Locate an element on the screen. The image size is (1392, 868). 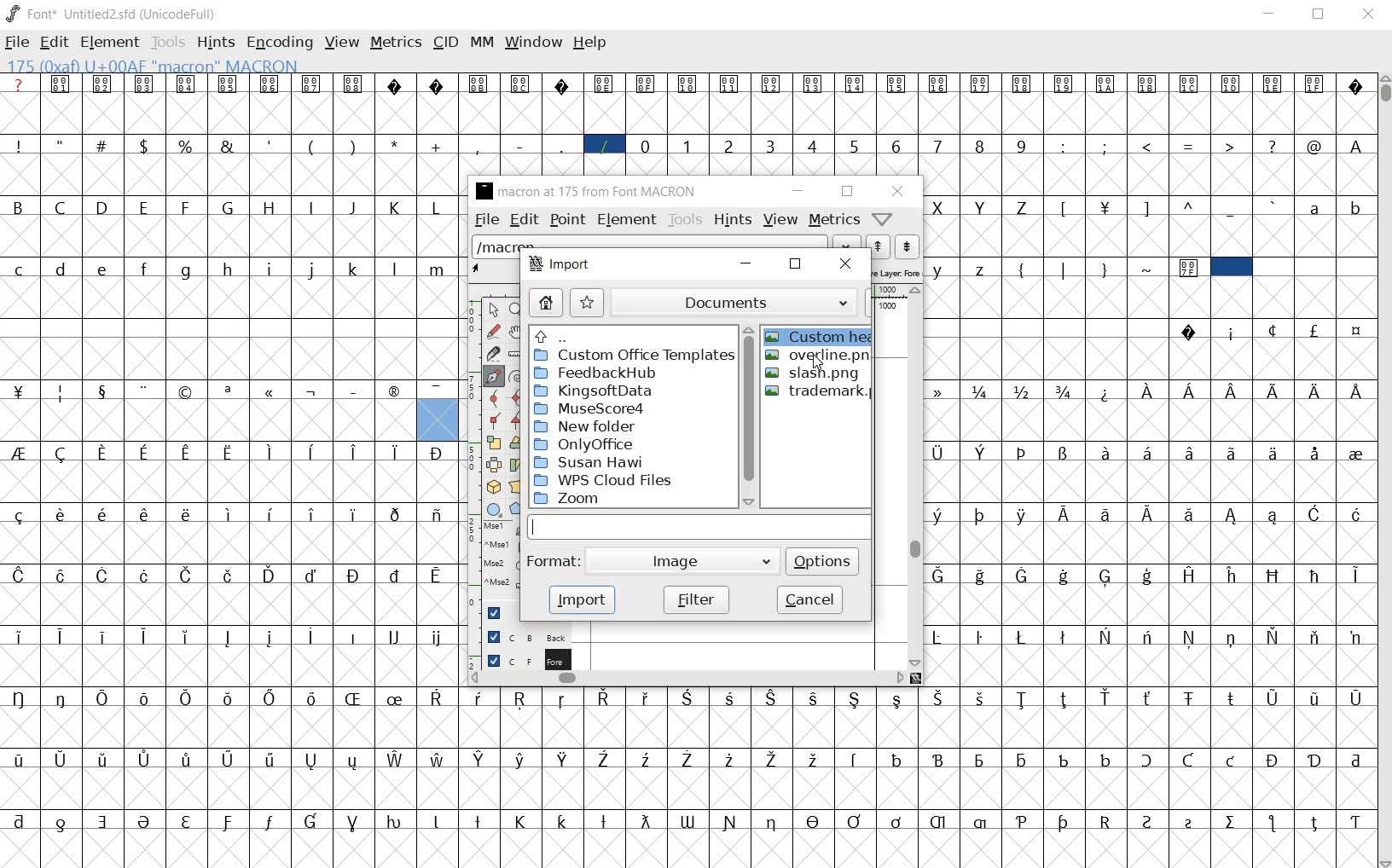
Symbol is located at coordinates (604, 84).